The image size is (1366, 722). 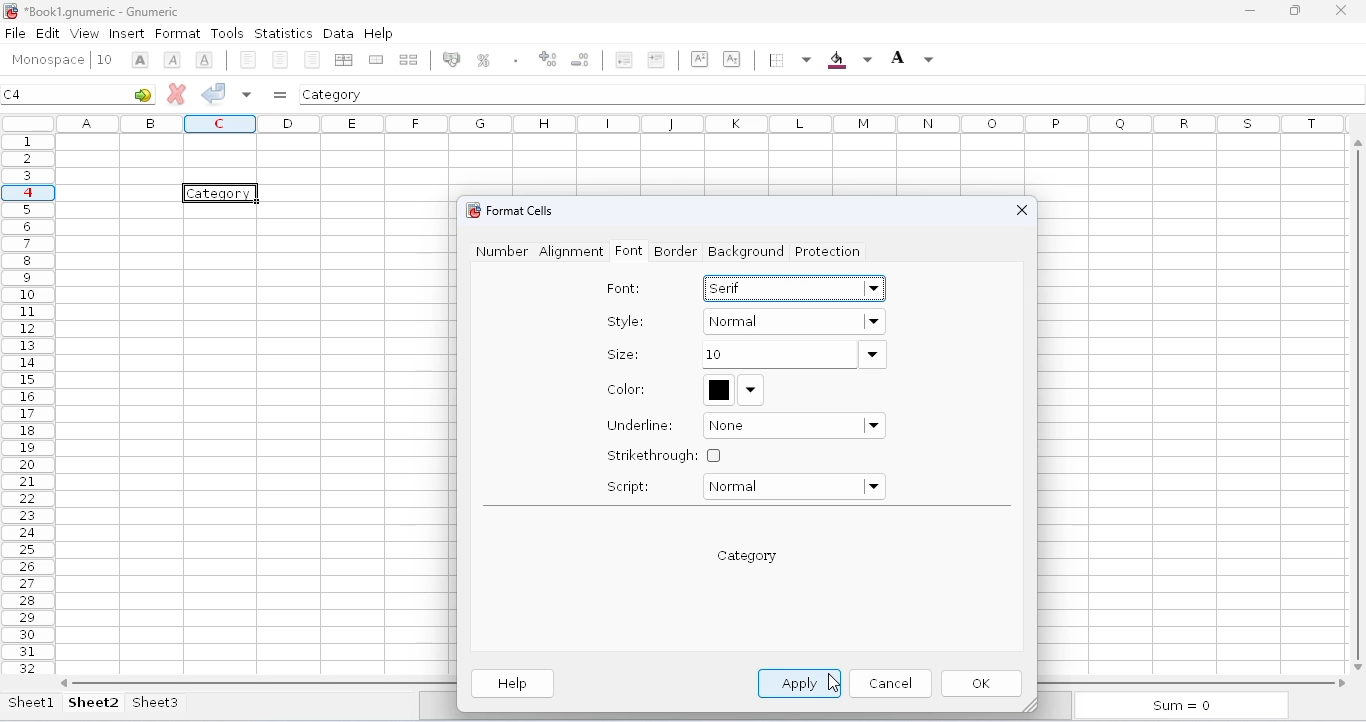 What do you see at coordinates (28, 404) in the screenshot?
I see `rows` at bounding box center [28, 404].